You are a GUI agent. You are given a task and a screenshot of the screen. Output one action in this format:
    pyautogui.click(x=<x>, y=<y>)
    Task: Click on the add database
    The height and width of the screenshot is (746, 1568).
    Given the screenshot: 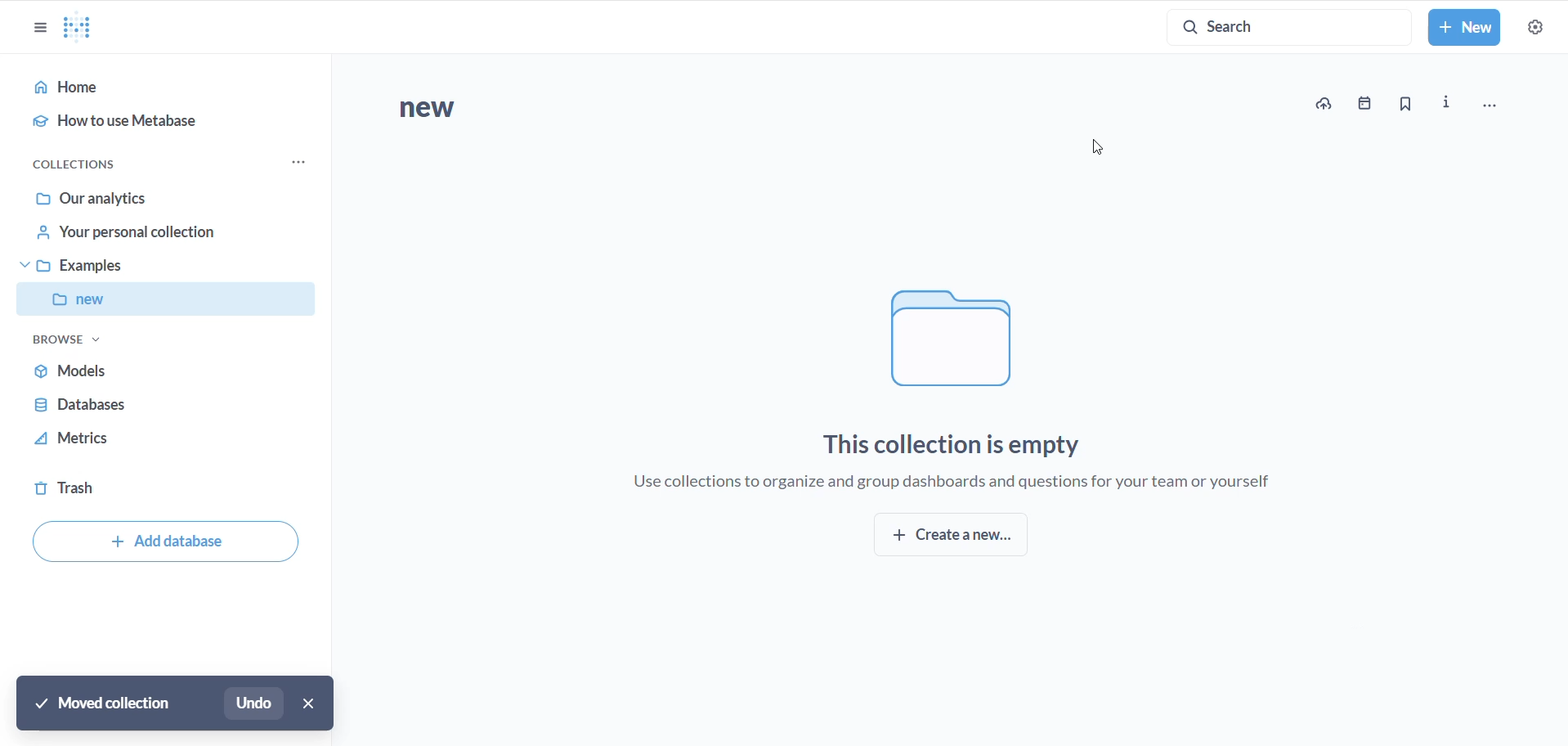 What is the action you would take?
    pyautogui.click(x=164, y=544)
    